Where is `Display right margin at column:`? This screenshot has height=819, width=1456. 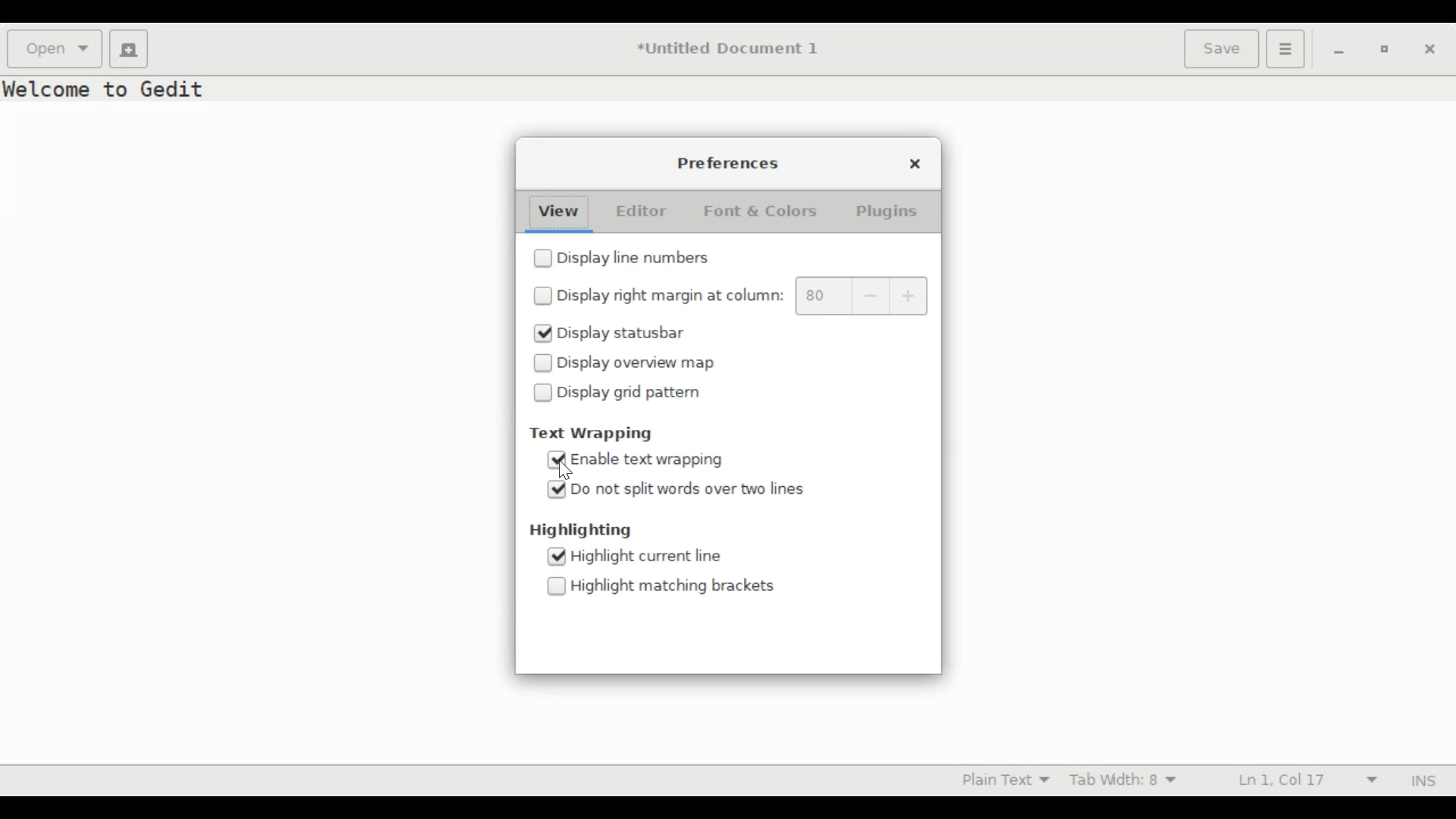
Display right margin at column: is located at coordinates (670, 298).